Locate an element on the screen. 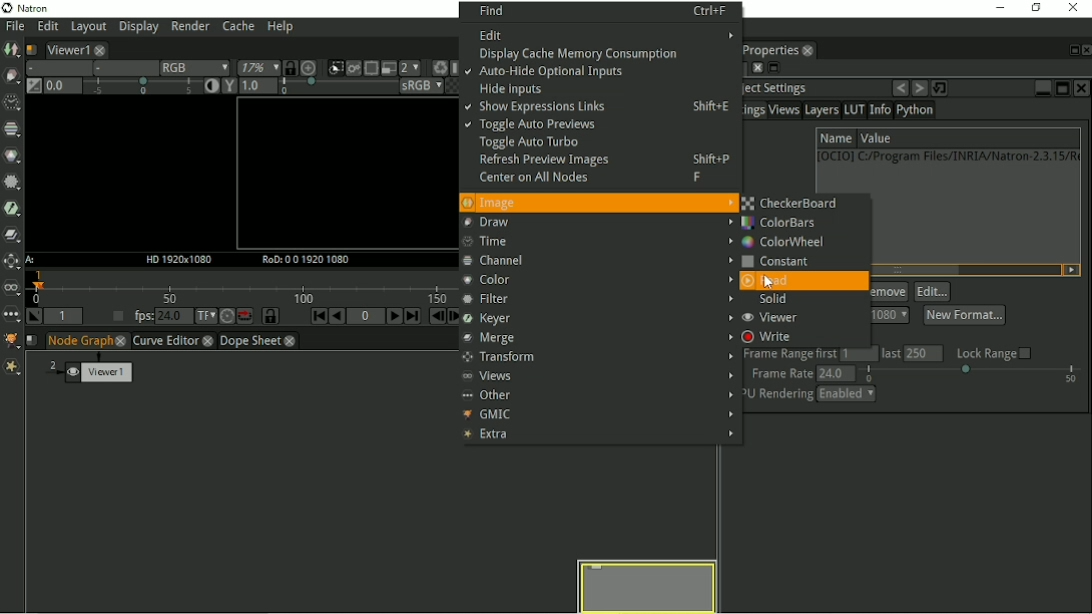  RGB is located at coordinates (191, 67).